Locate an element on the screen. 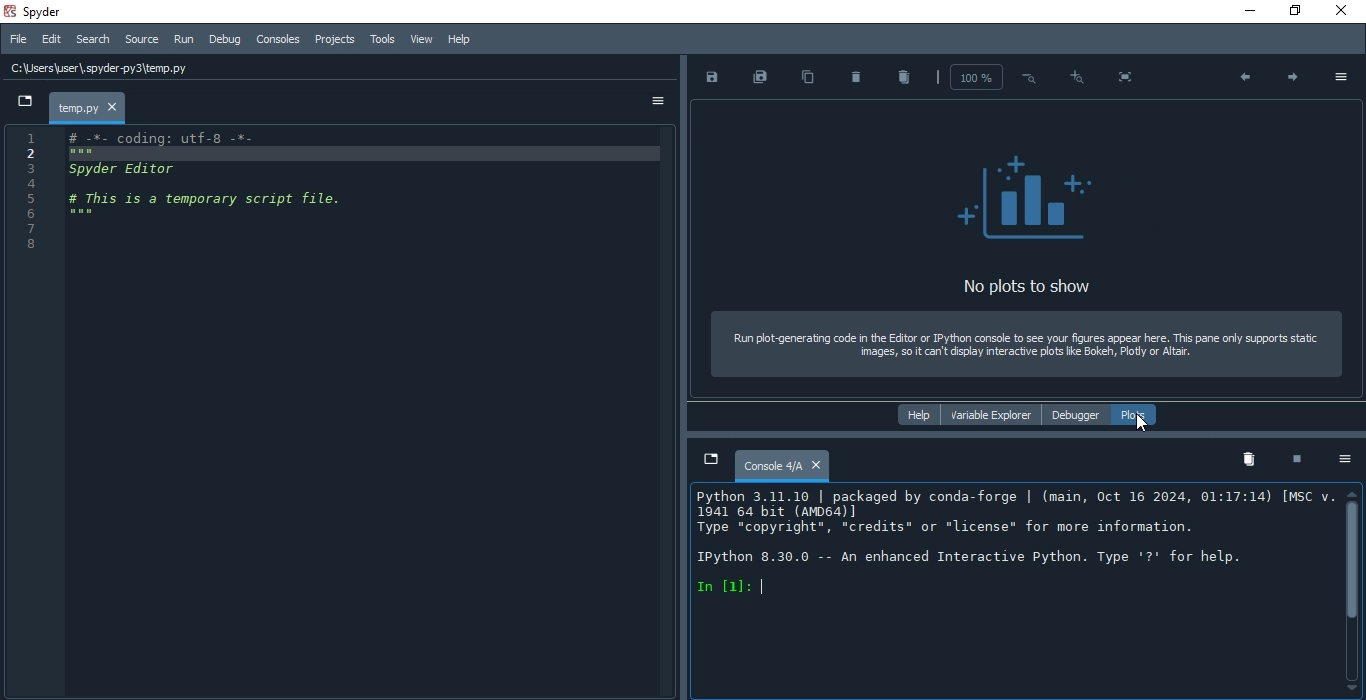 This screenshot has width=1366, height=700. No plots to show is located at coordinates (1019, 285).